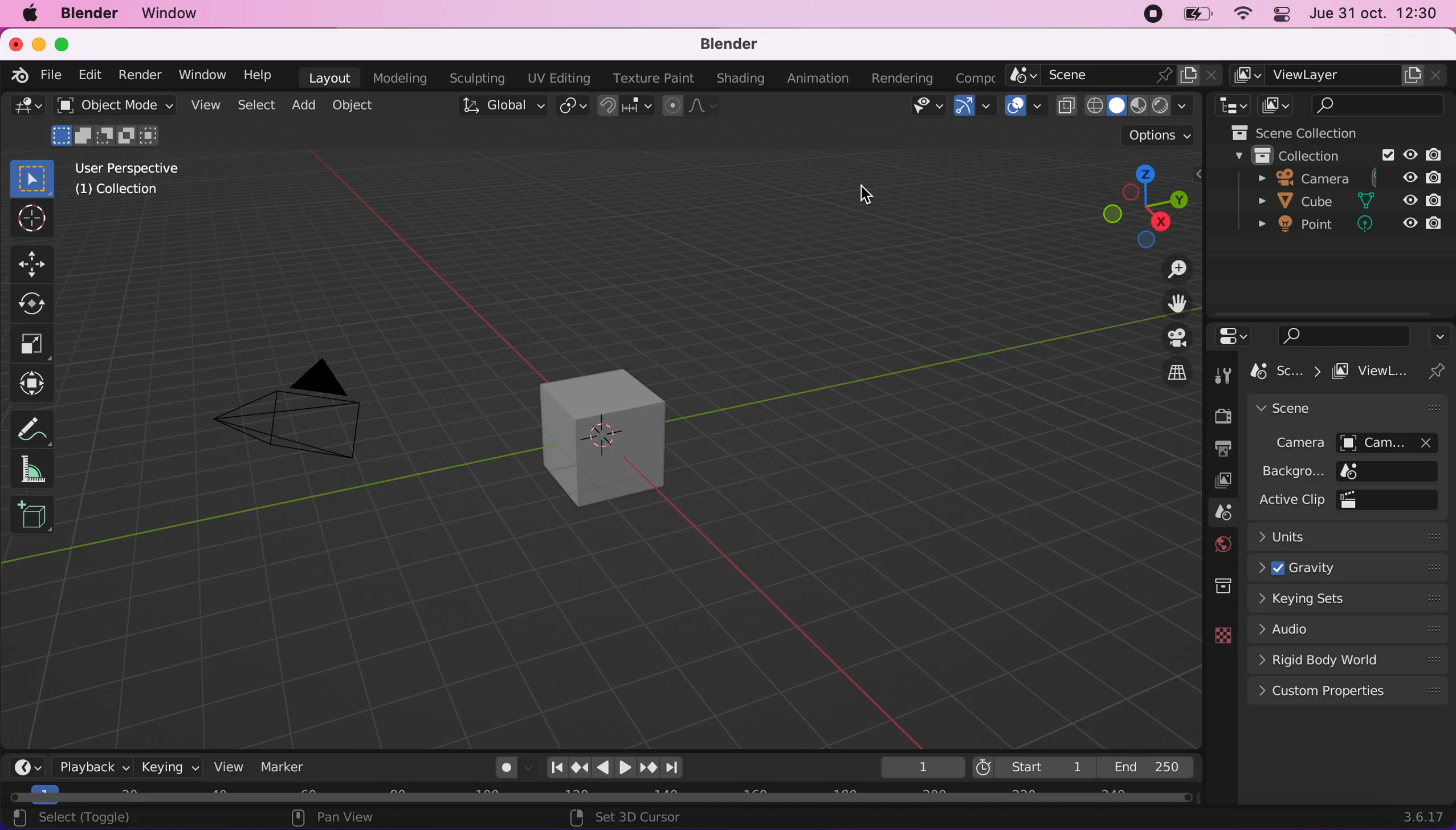  I want to click on blender logo, so click(18, 75).